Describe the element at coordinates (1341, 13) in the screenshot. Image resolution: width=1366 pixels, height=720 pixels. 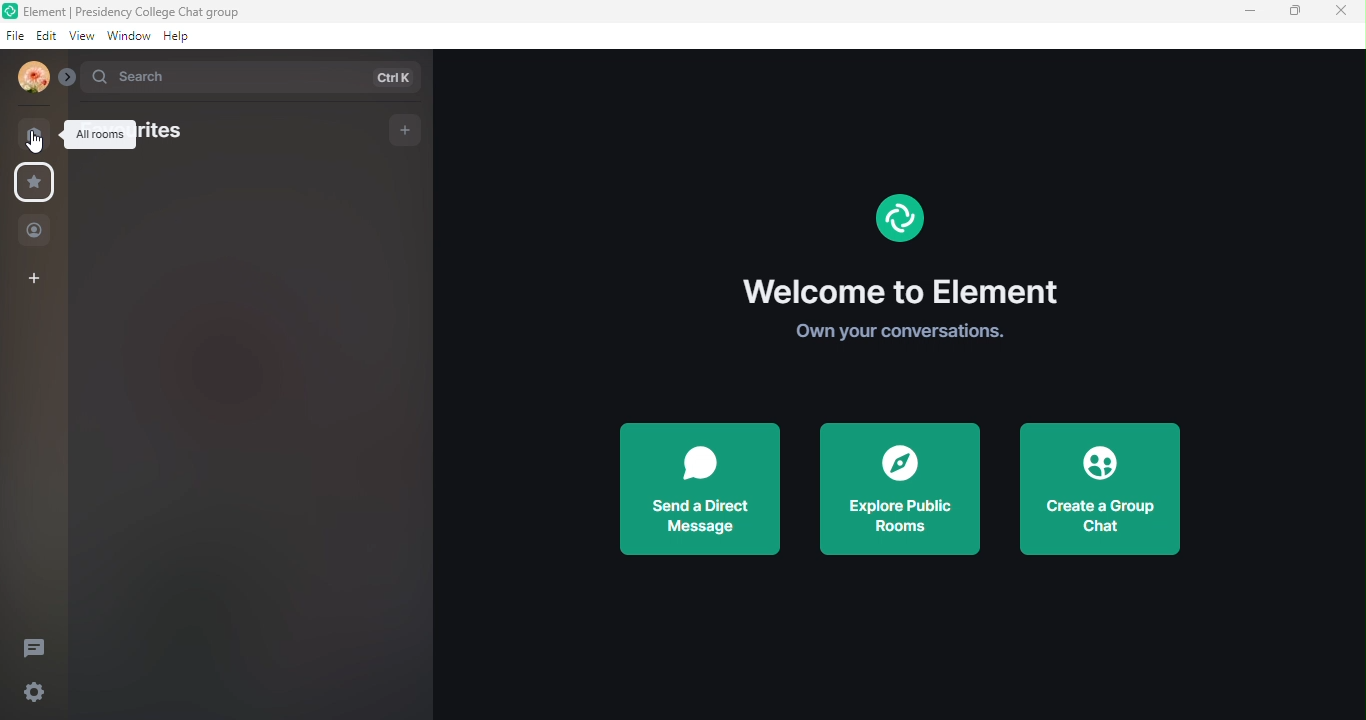
I see `close` at that location.